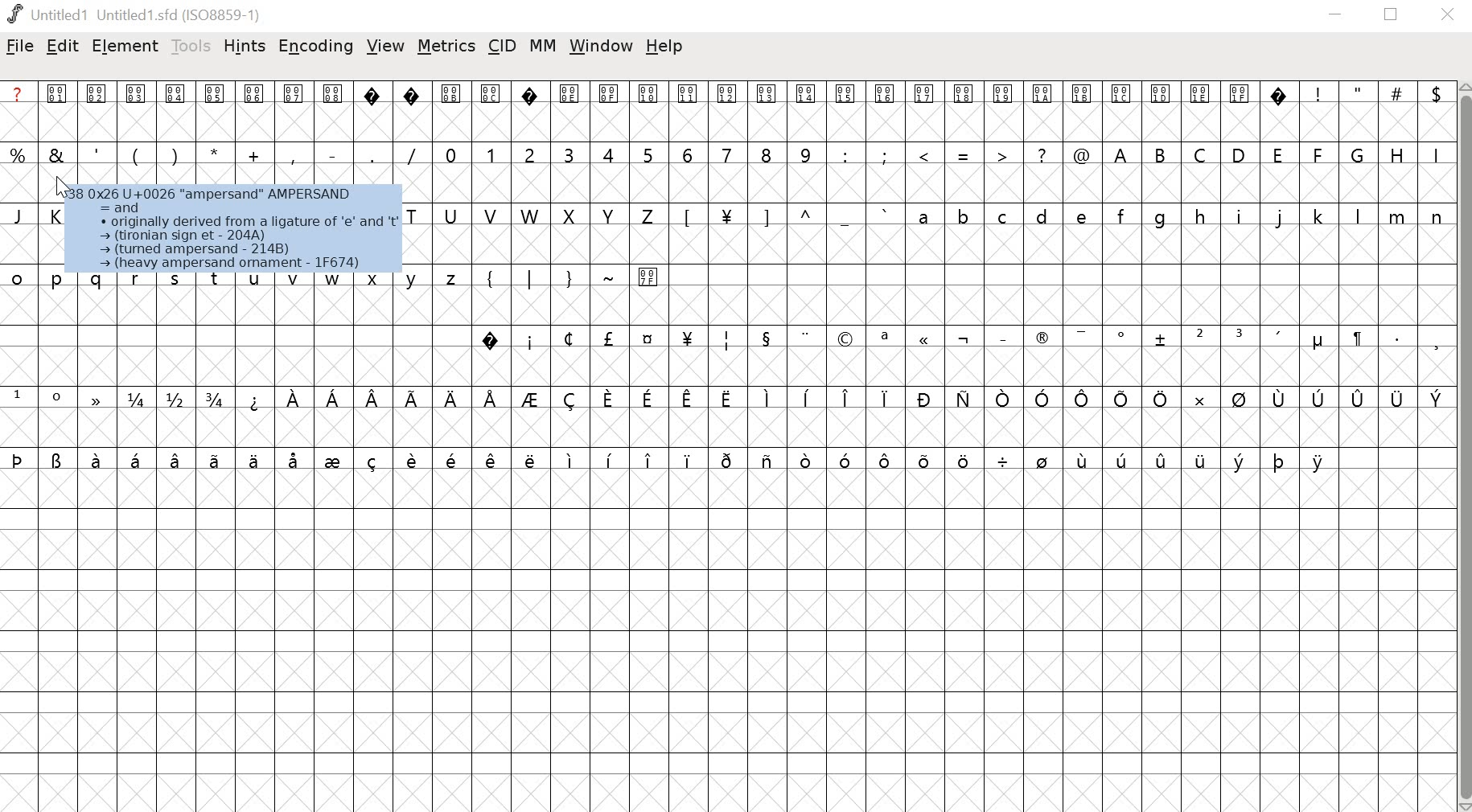 Image resolution: width=1472 pixels, height=812 pixels. I want to click on symbol, so click(688, 337).